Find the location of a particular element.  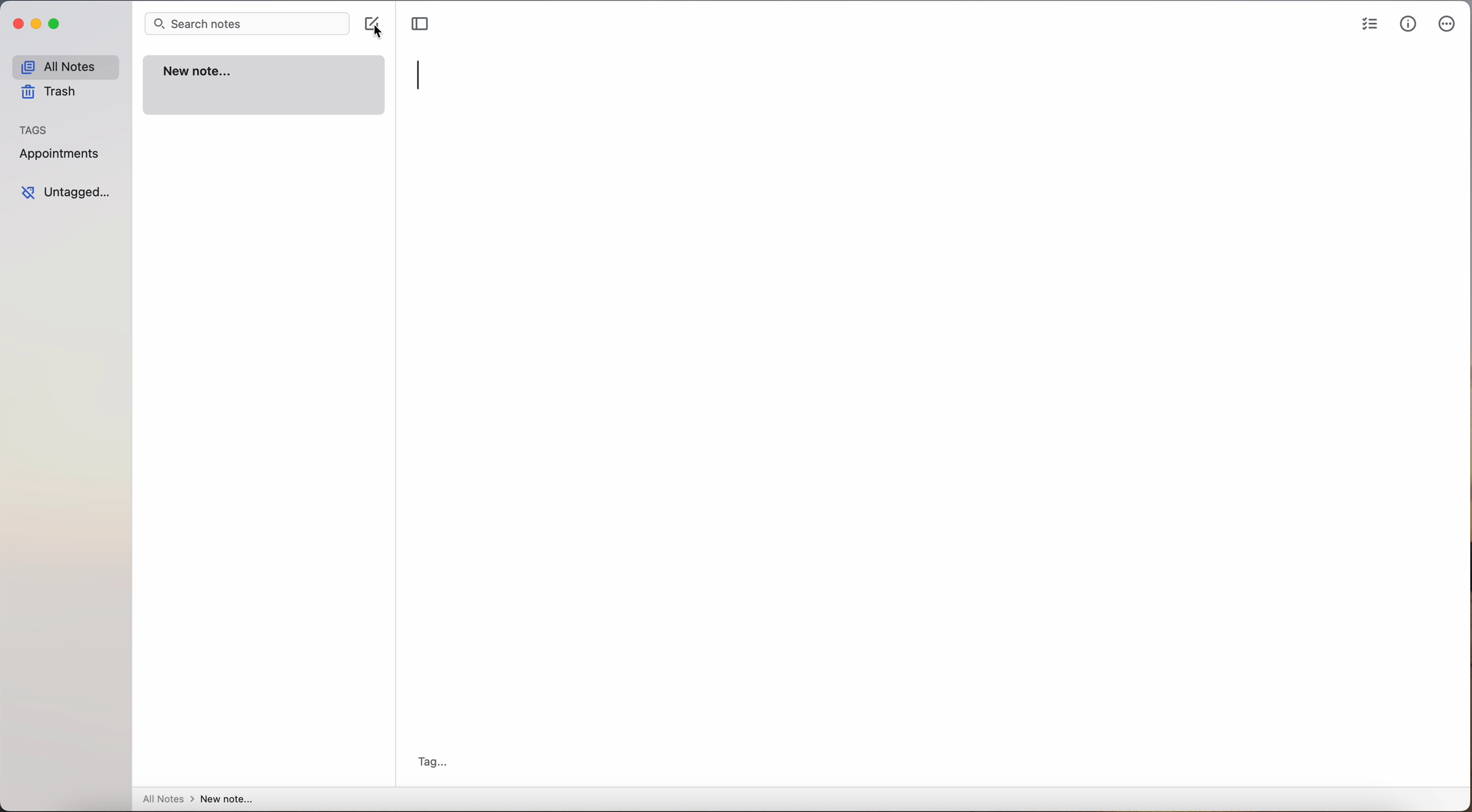

maximize app is located at coordinates (56, 25).